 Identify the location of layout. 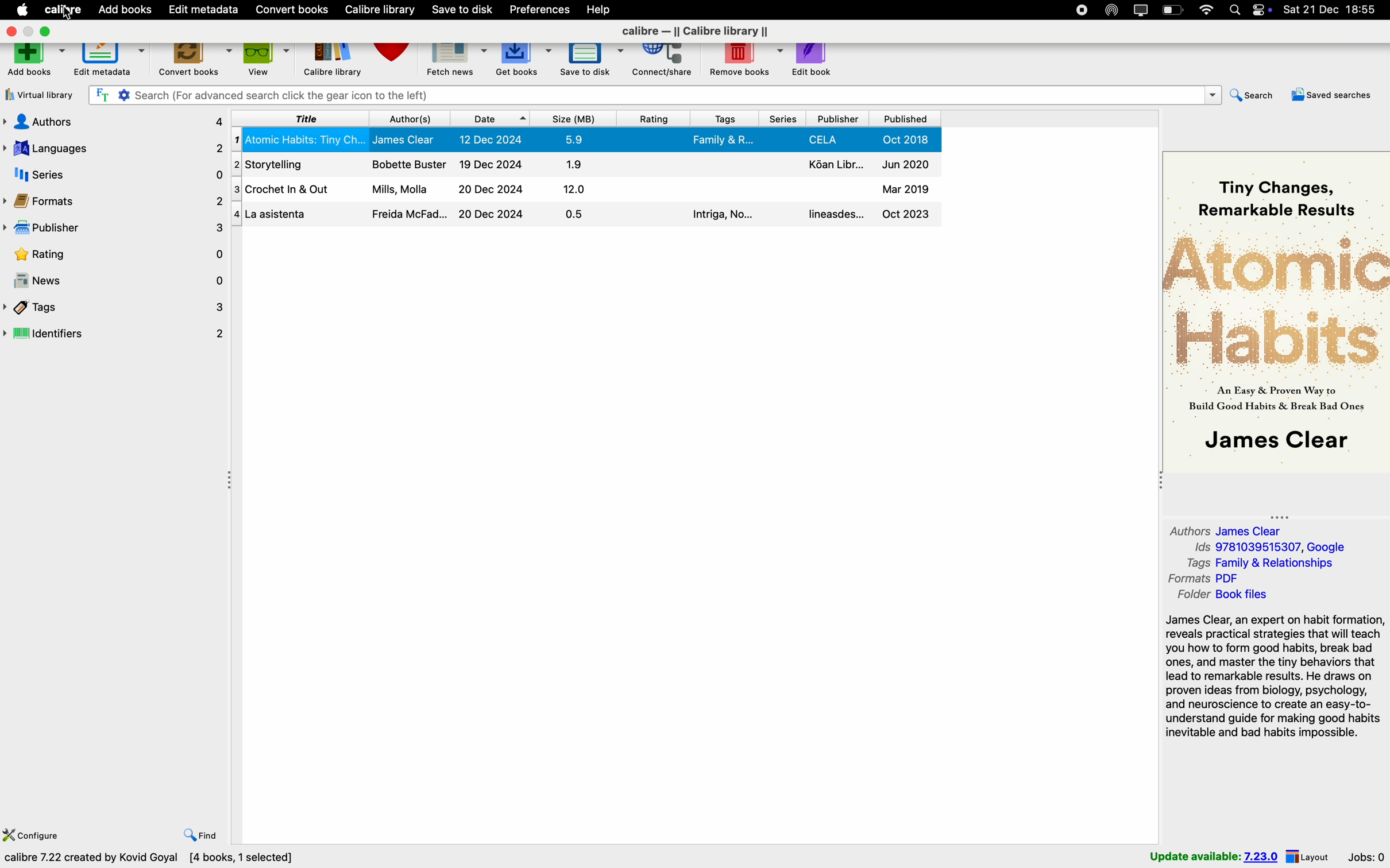
(1308, 856).